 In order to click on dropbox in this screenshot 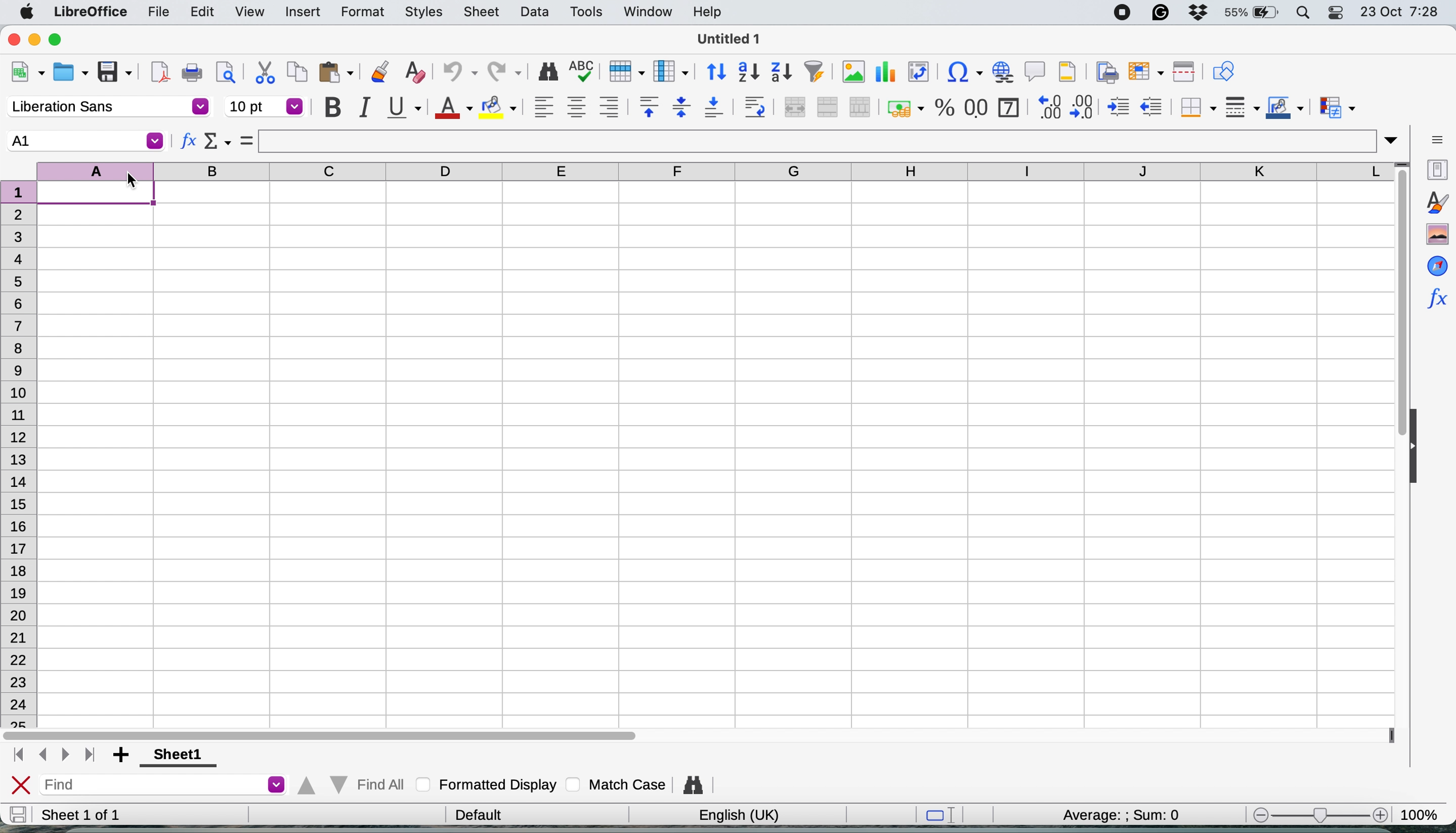, I will do `click(1196, 14)`.